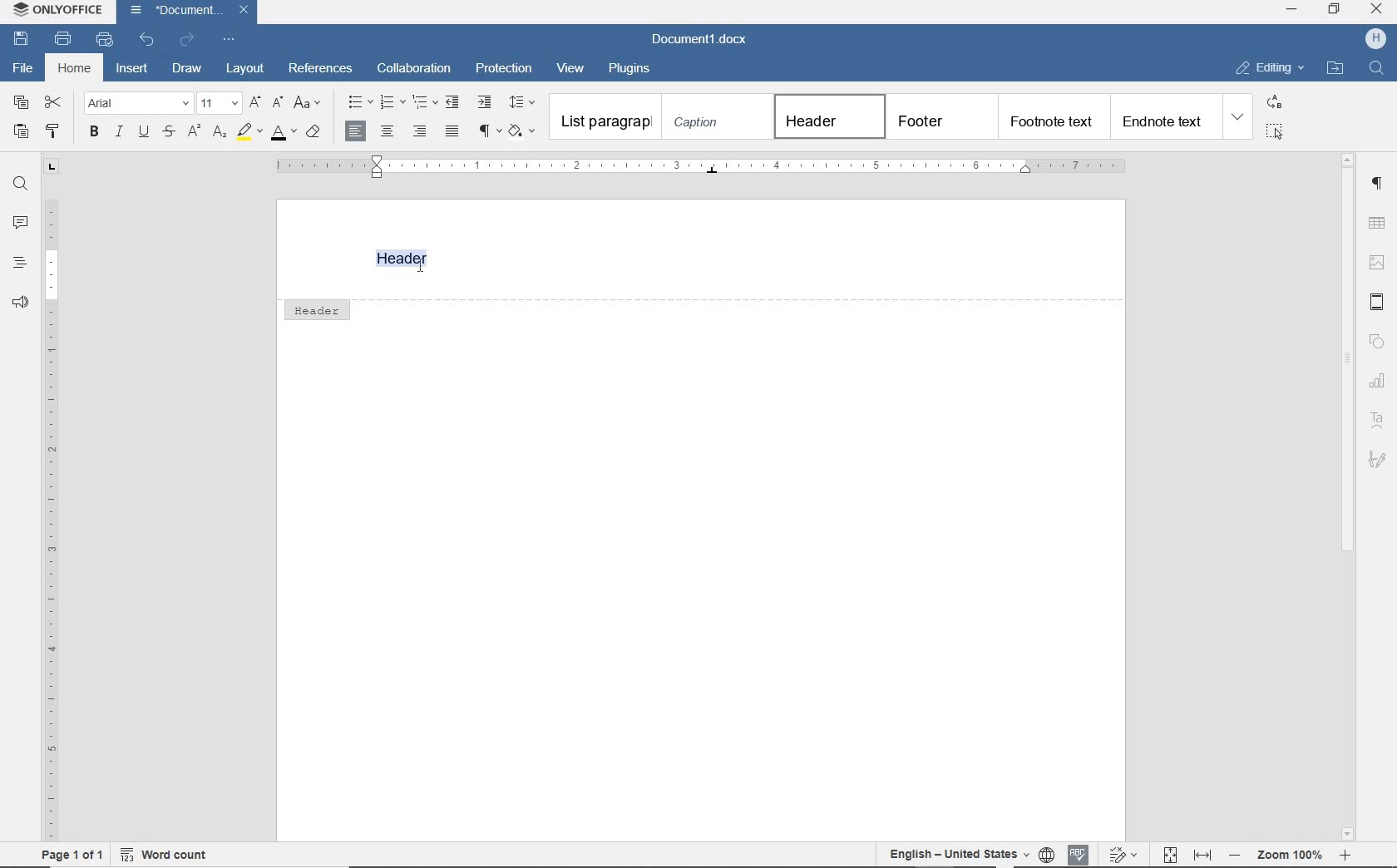 This screenshot has width=1397, height=868. What do you see at coordinates (1376, 11) in the screenshot?
I see `CLOSE` at bounding box center [1376, 11].